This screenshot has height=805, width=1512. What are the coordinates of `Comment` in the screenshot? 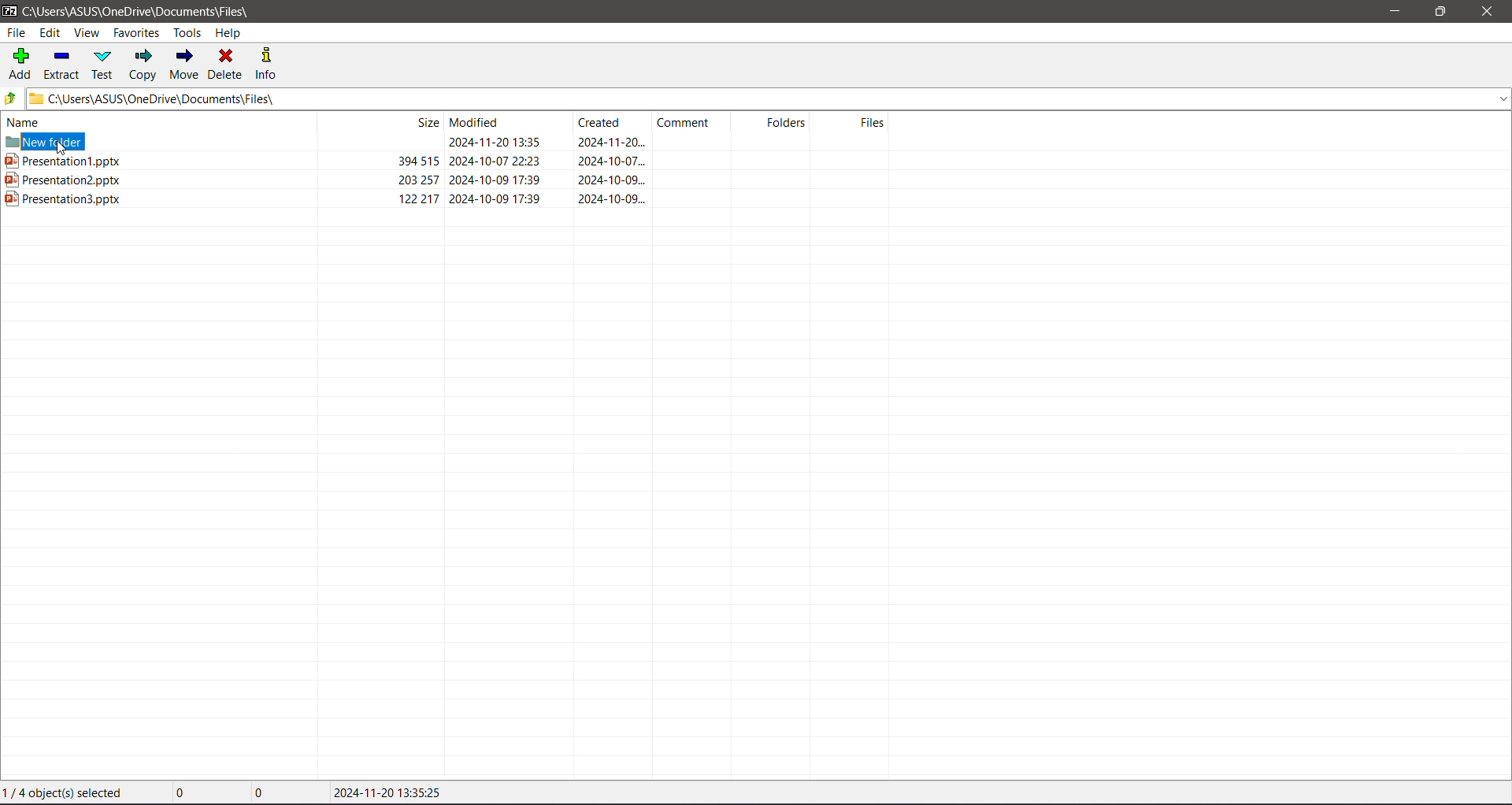 It's located at (695, 122).